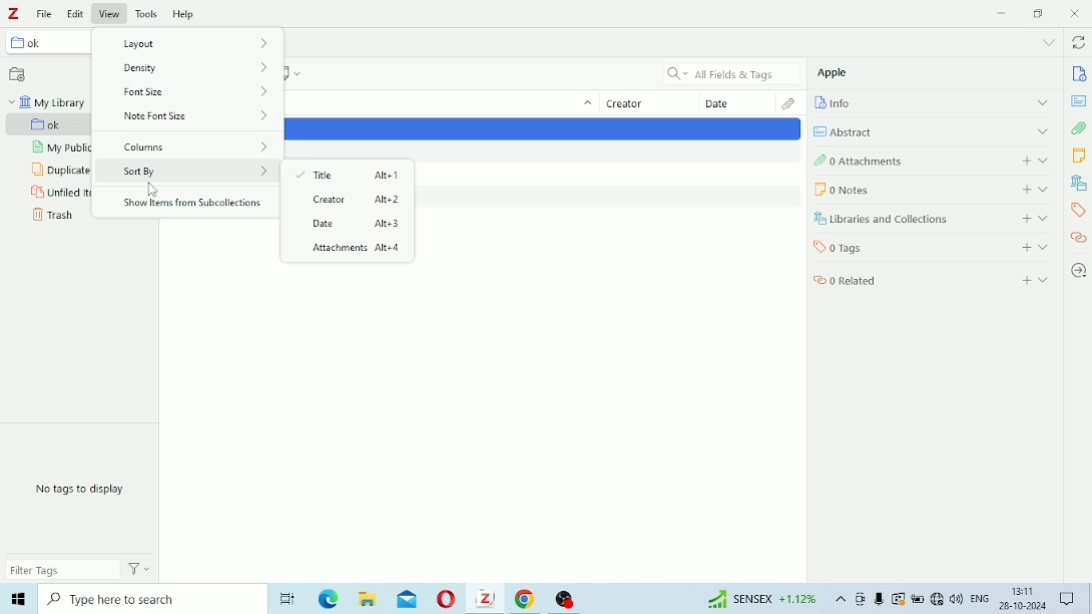 The image size is (1092, 614). I want to click on add, so click(1024, 161).